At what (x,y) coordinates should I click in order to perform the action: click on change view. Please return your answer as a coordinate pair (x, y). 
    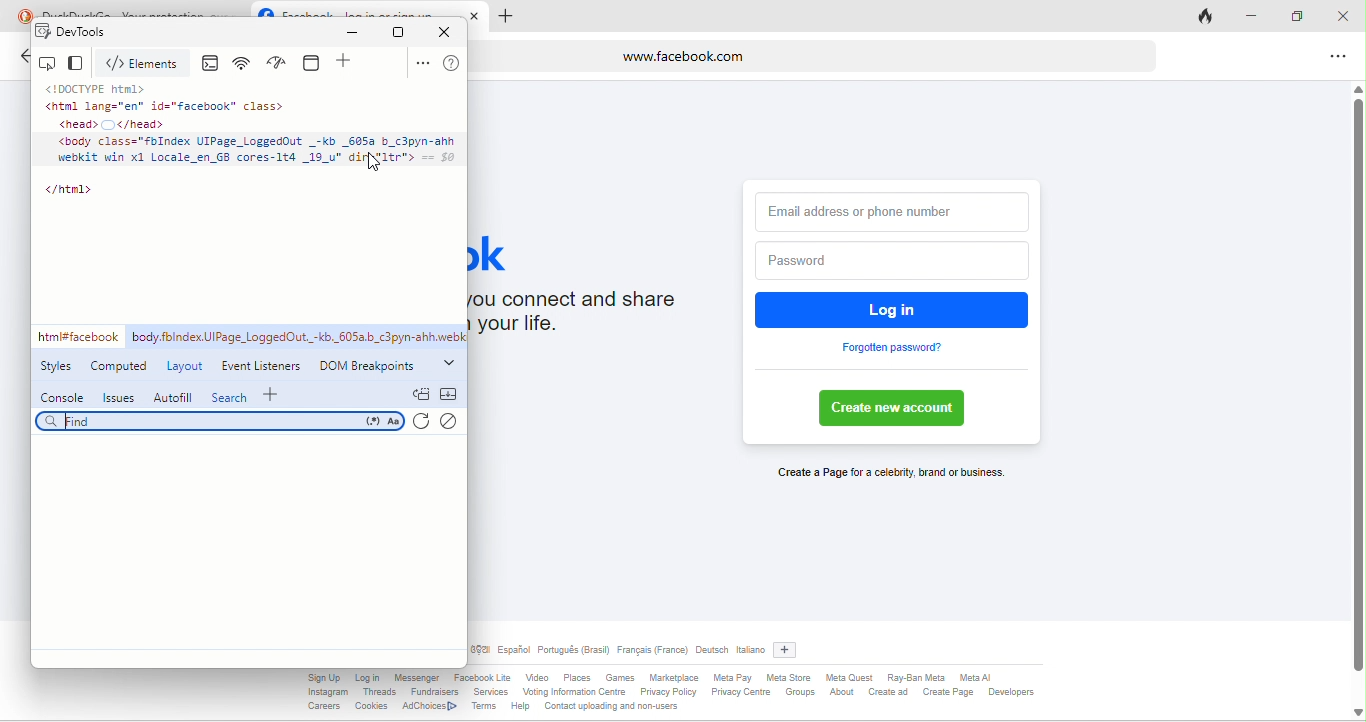
    Looking at the image, I should click on (79, 64).